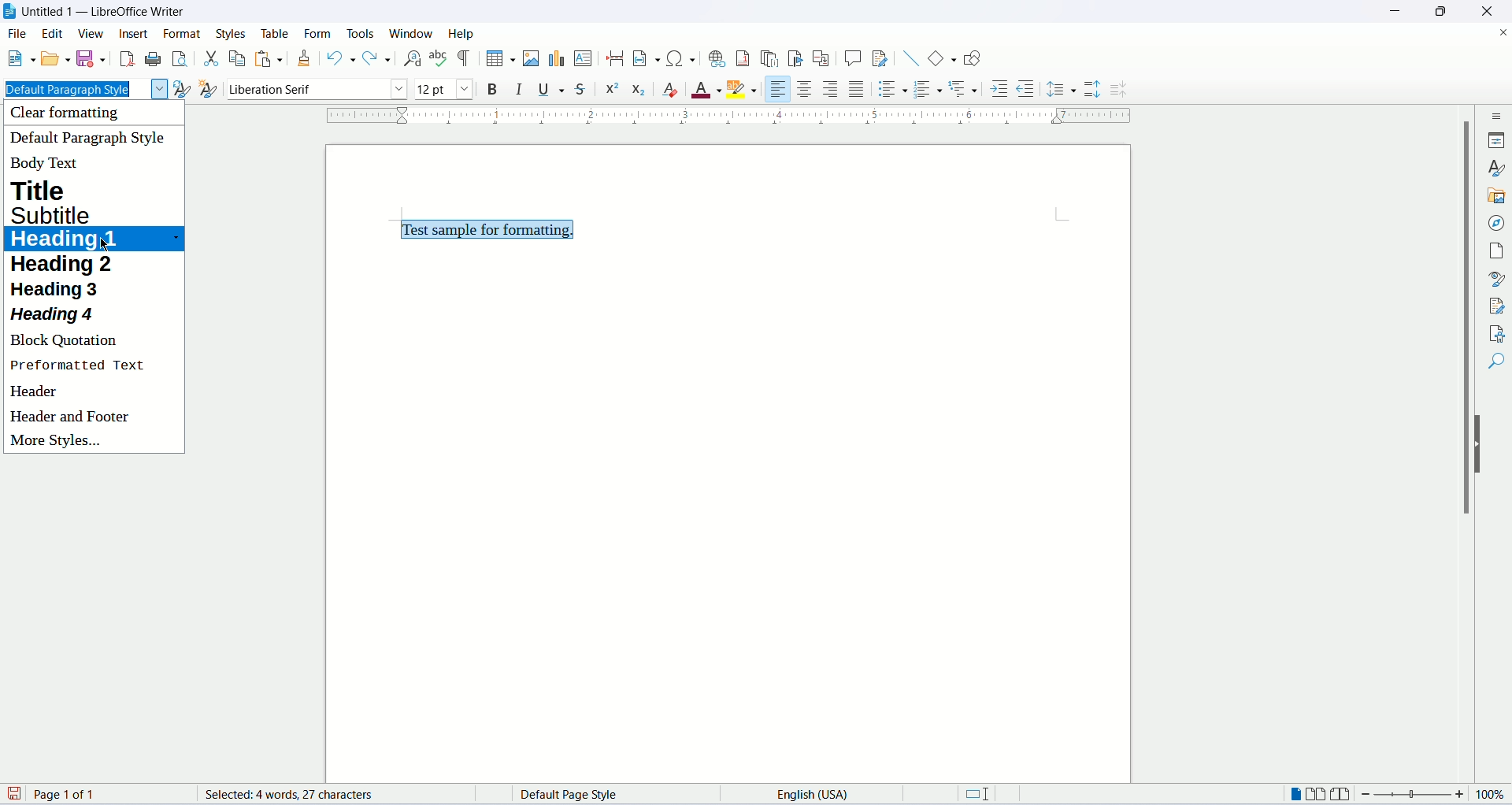  I want to click on superscript, so click(613, 89).